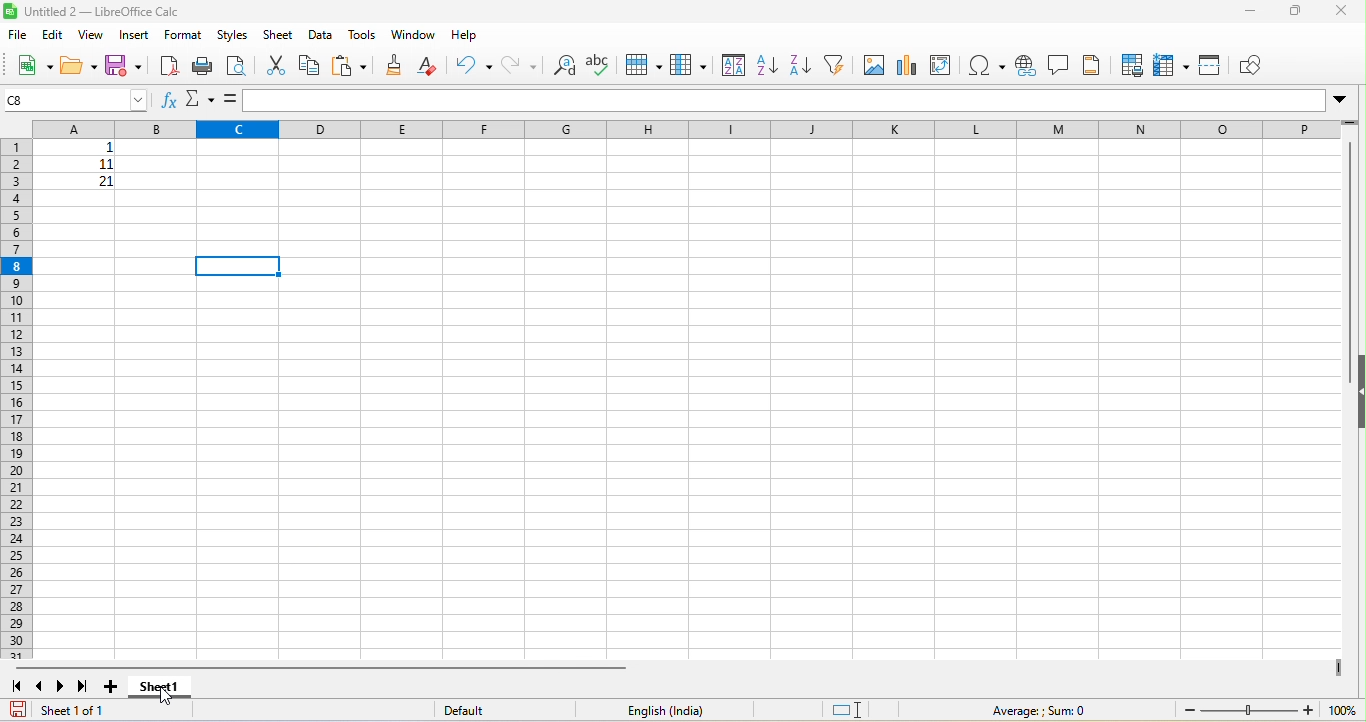  Describe the element at coordinates (598, 64) in the screenshot. I see `spelling` at that location.